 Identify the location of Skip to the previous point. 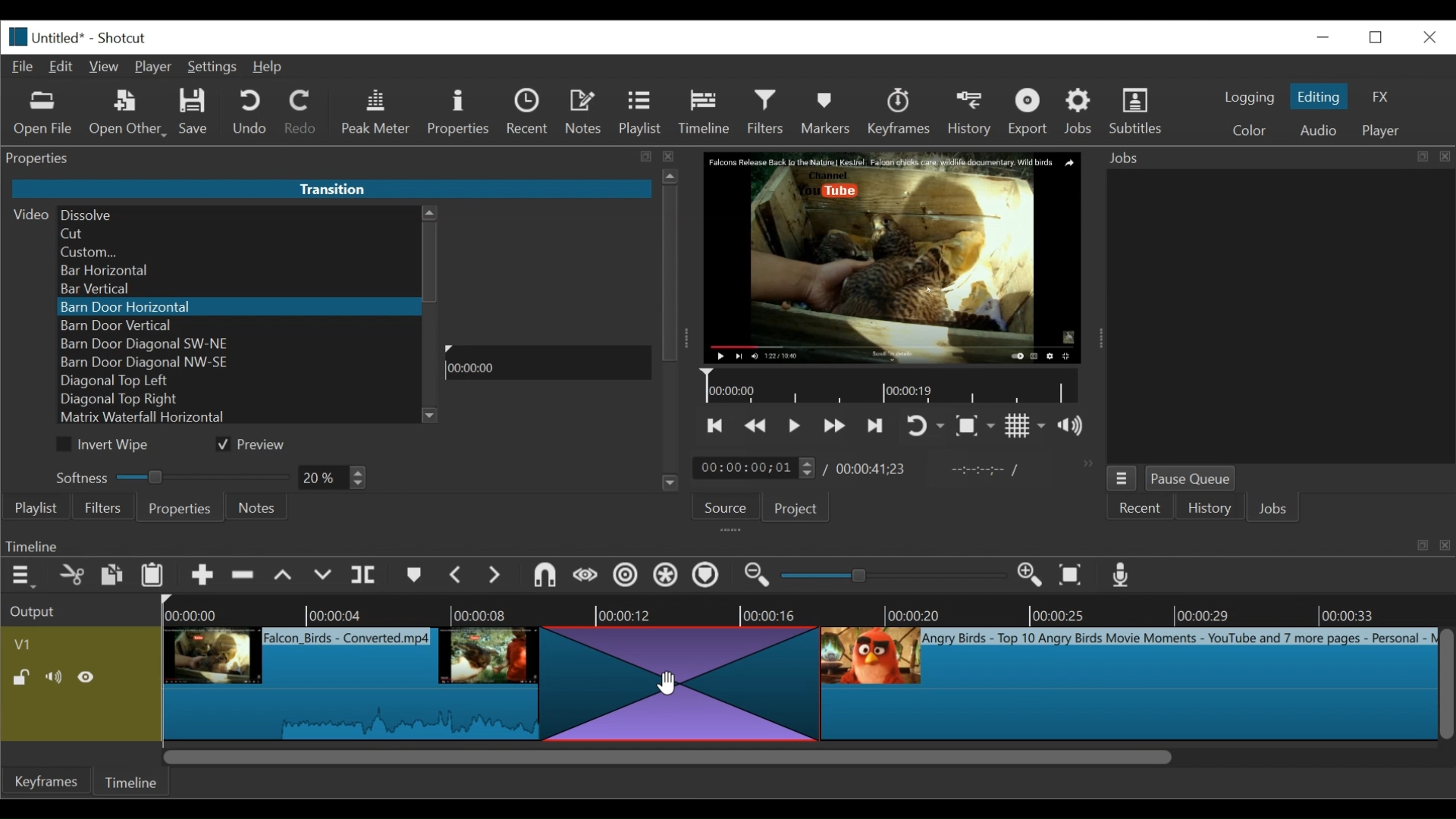
(714, 427).